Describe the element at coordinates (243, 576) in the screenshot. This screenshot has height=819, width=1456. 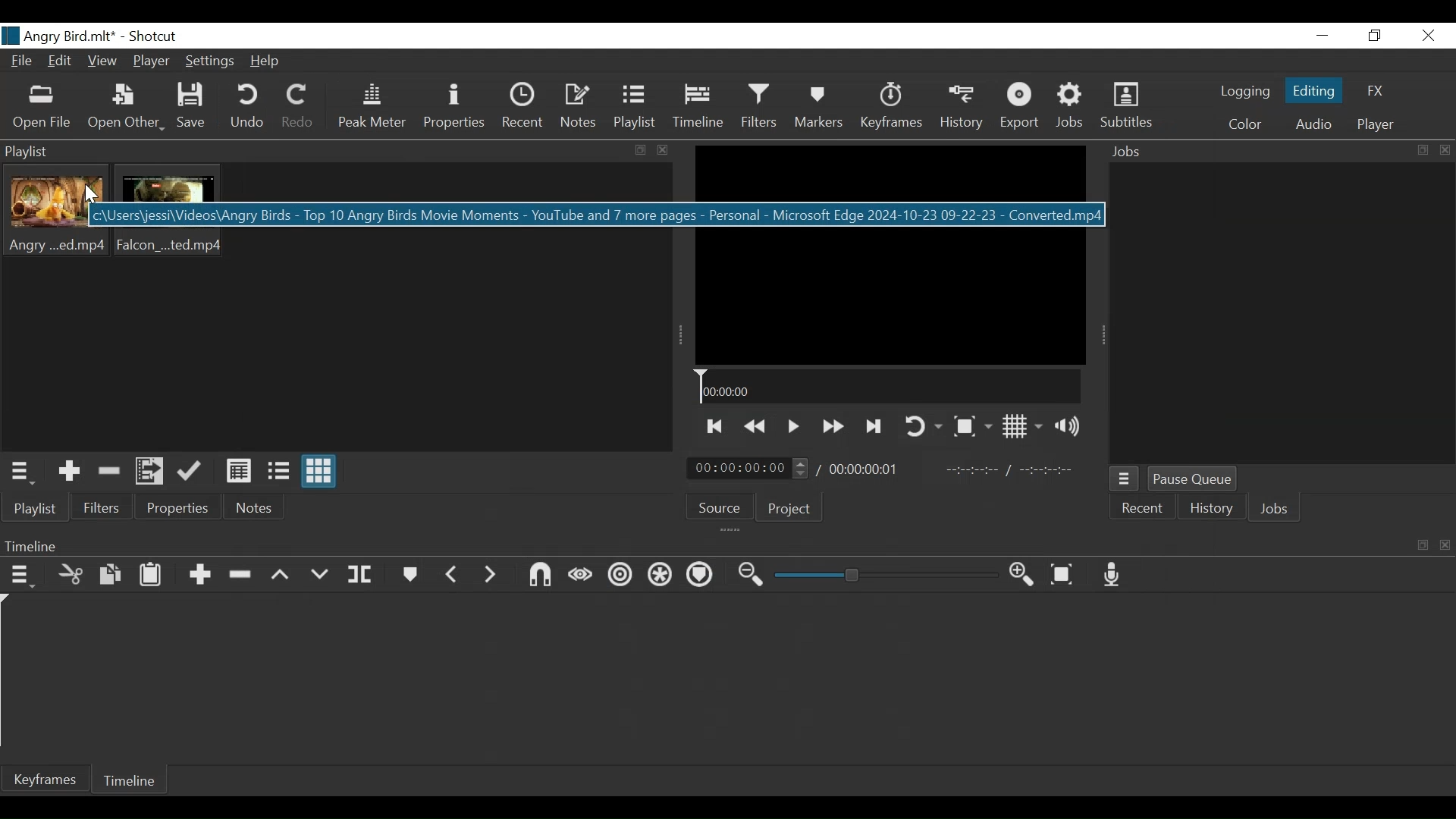
I see `Ripple Delete` at that location.